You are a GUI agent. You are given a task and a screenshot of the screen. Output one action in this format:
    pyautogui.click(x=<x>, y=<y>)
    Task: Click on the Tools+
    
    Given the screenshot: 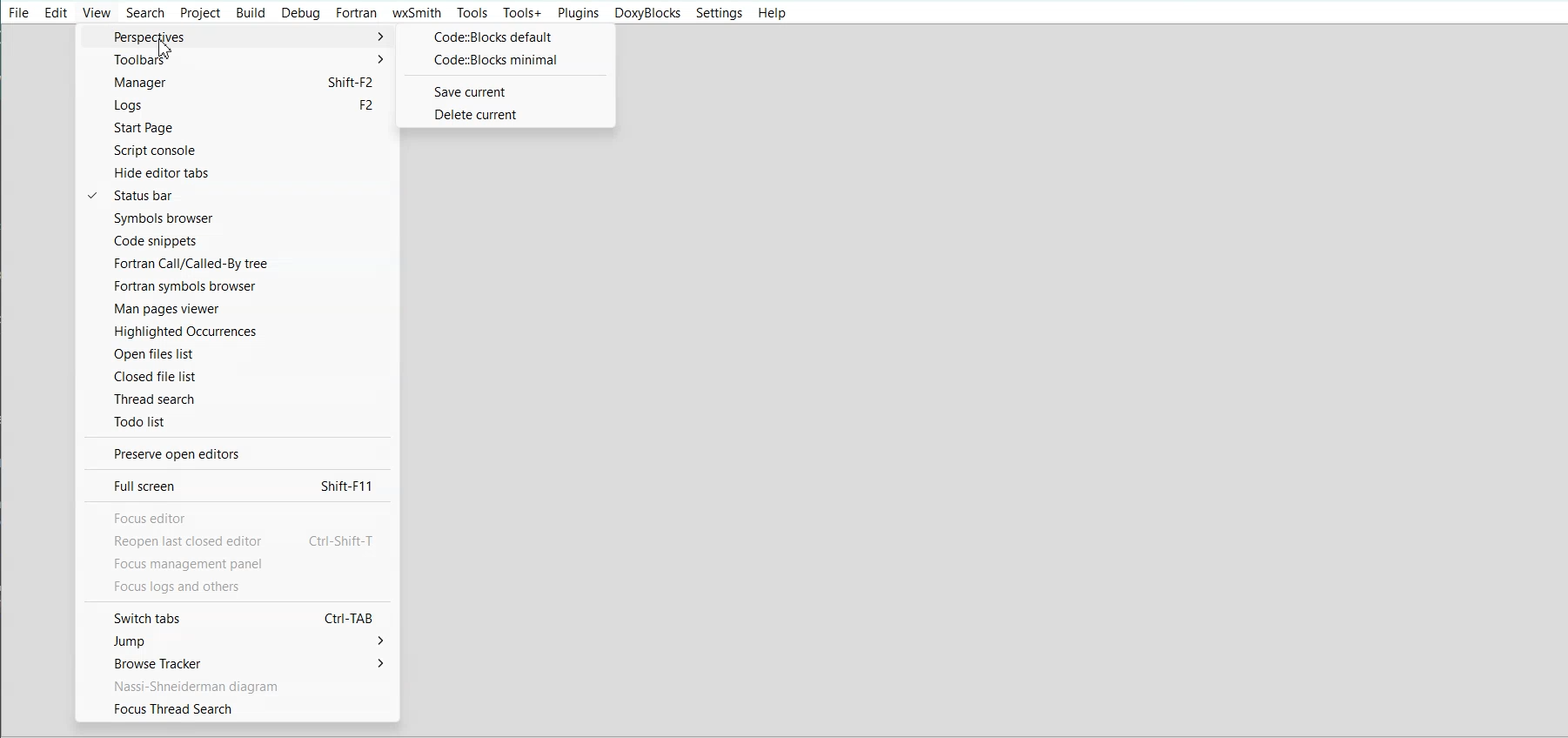 What is the action you would take?
    pyautogui.click(x=522, y=13)
    